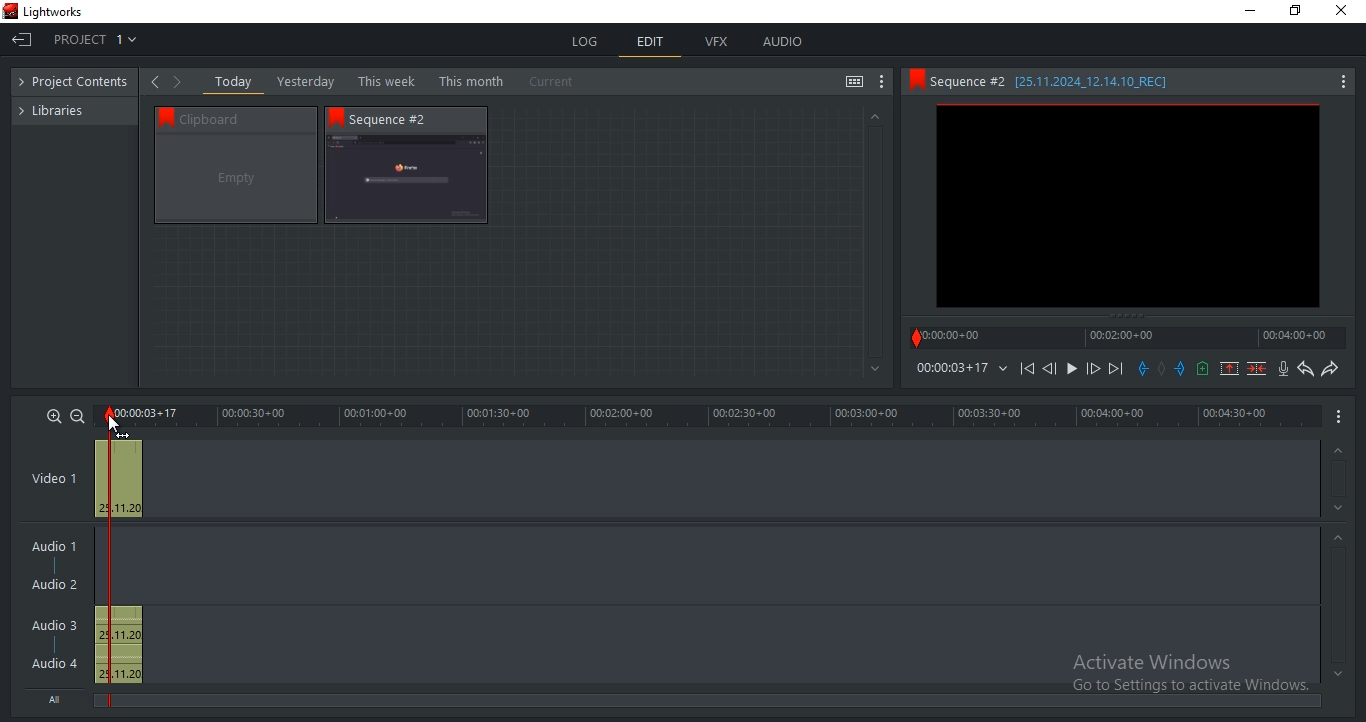 This screenshot has height=722, width=1366. Describe the element at coordinates (181, 82) in the screenshot. I see `Navigate right options` at that location.